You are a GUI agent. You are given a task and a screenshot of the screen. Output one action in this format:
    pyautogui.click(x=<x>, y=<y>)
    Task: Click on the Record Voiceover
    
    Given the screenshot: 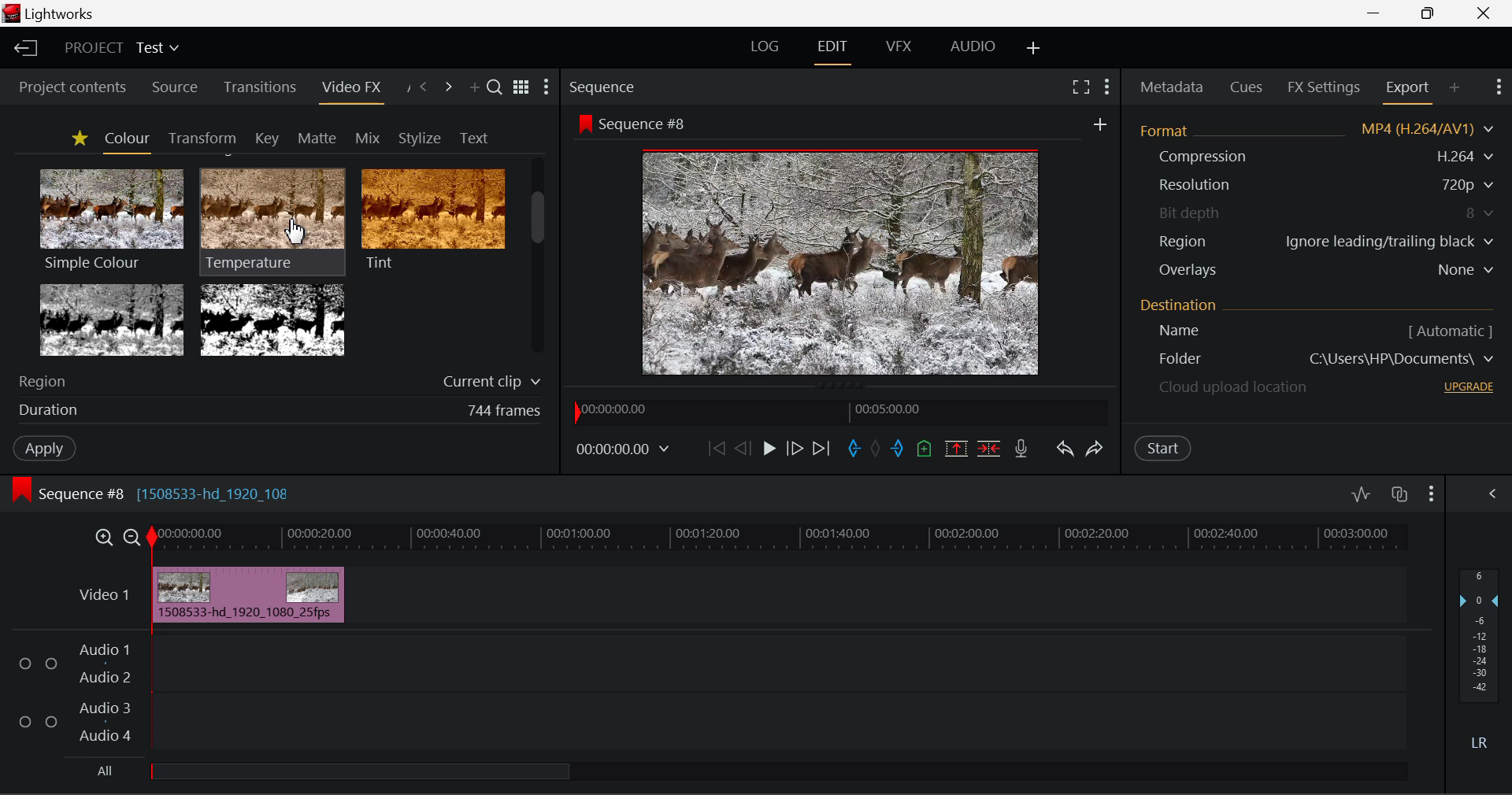 What is the action you would take?
    pyautogui.click(x=1021, y=447)
    